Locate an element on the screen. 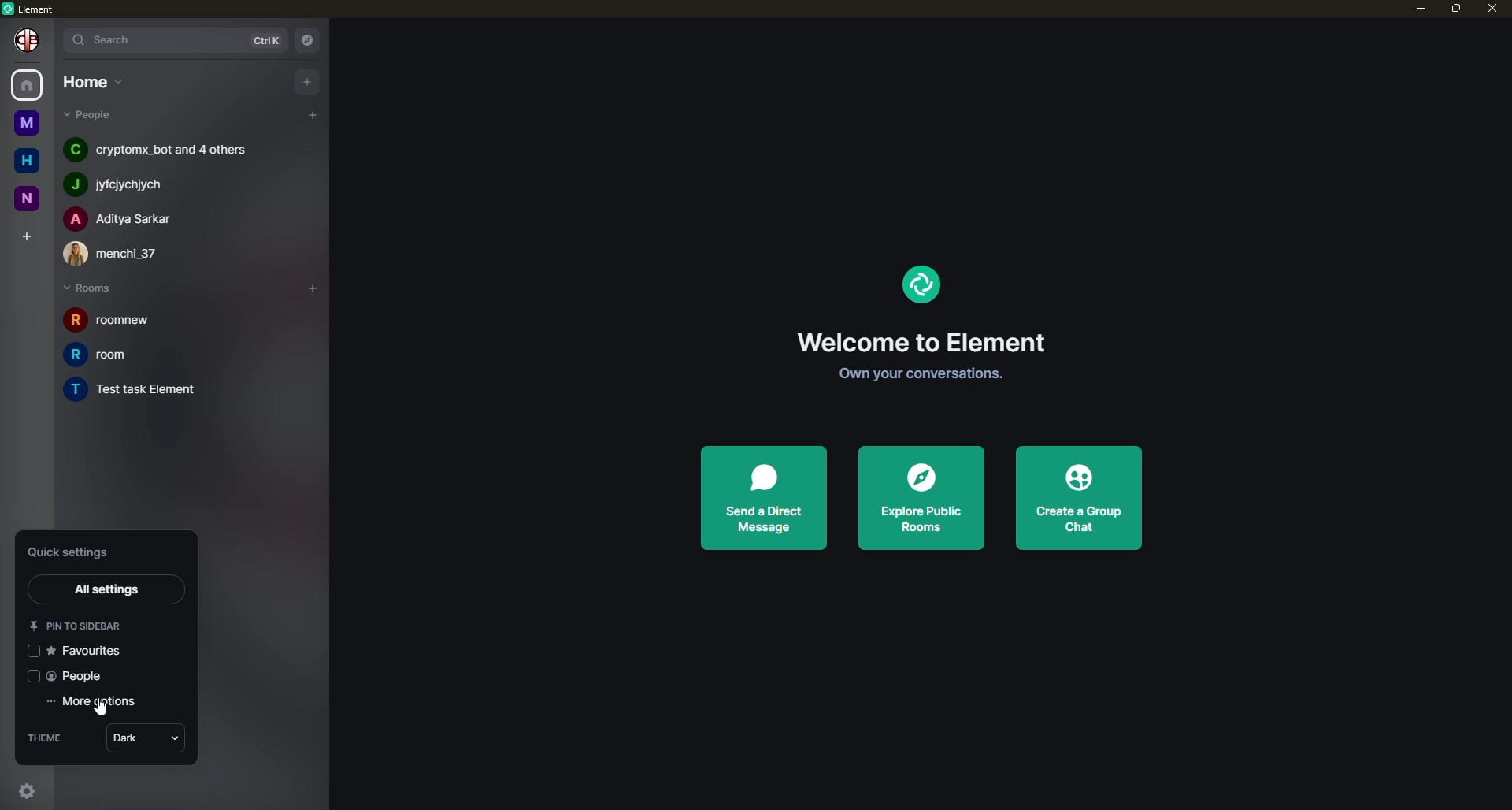  welcome is located at coordinates (918, 342).